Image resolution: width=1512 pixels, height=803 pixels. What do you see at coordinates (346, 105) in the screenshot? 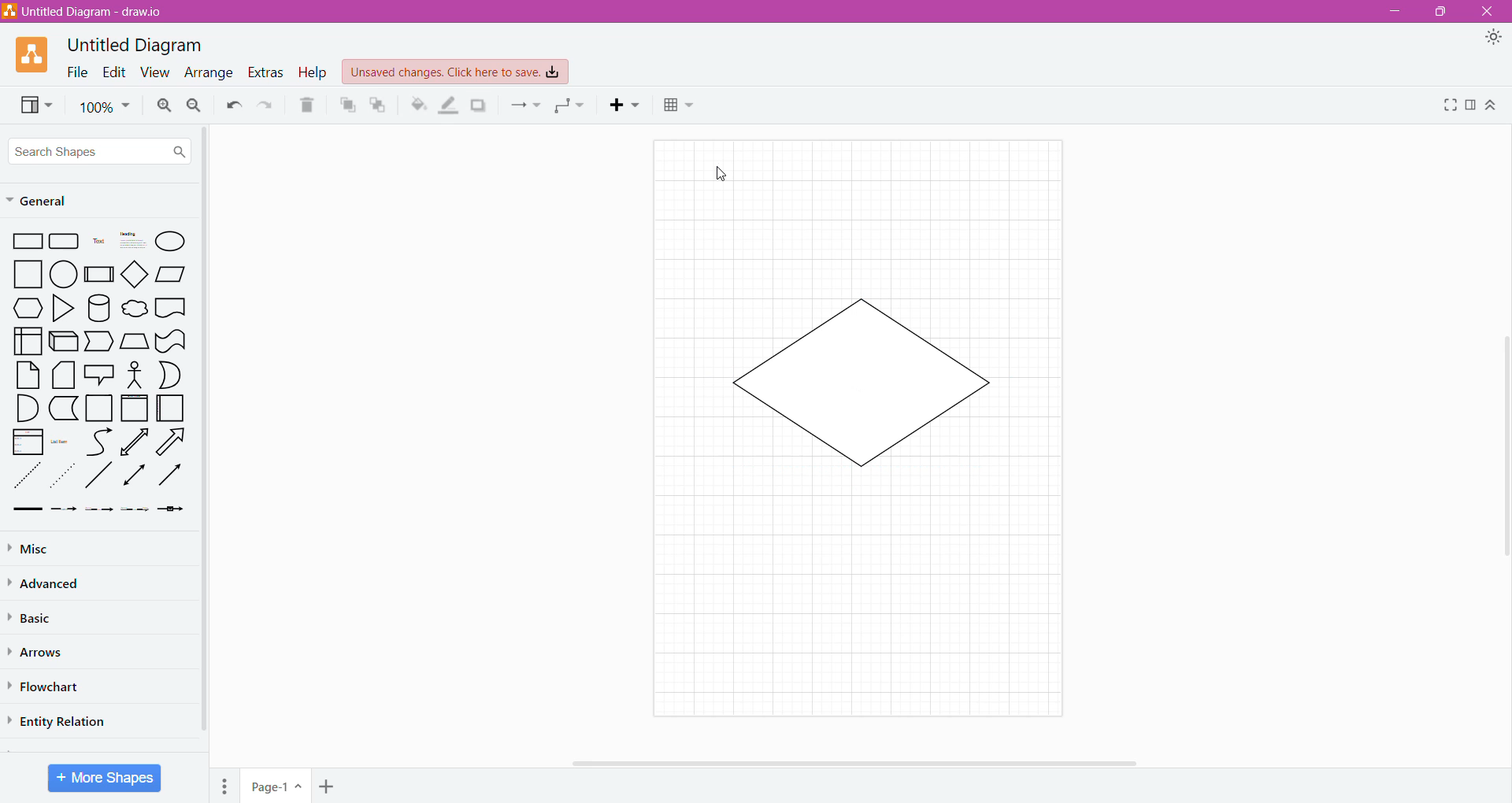
I see `To Front` at bounding box center [346, 105].